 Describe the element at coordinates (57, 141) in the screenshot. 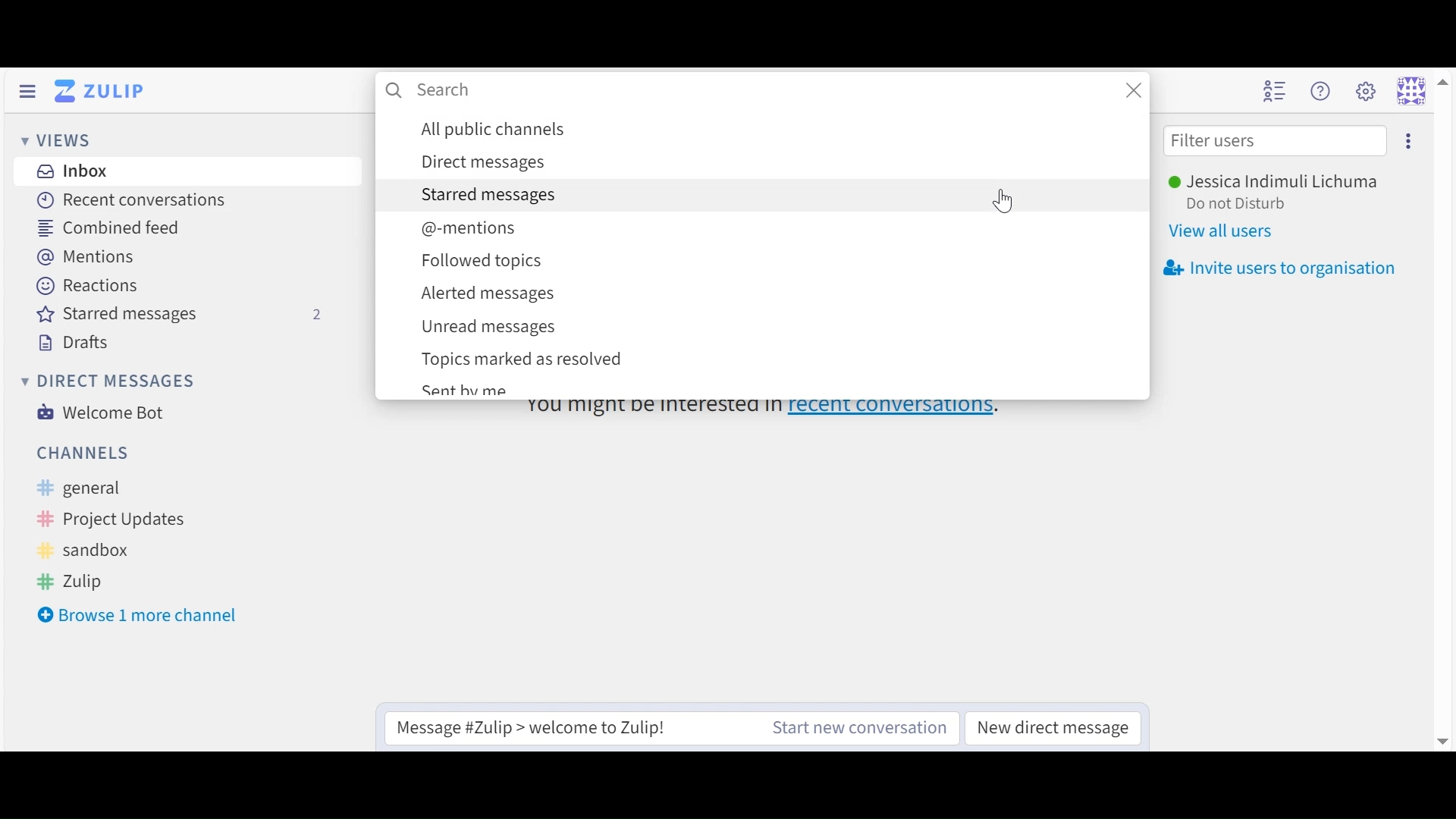

I see `Views` at that location.